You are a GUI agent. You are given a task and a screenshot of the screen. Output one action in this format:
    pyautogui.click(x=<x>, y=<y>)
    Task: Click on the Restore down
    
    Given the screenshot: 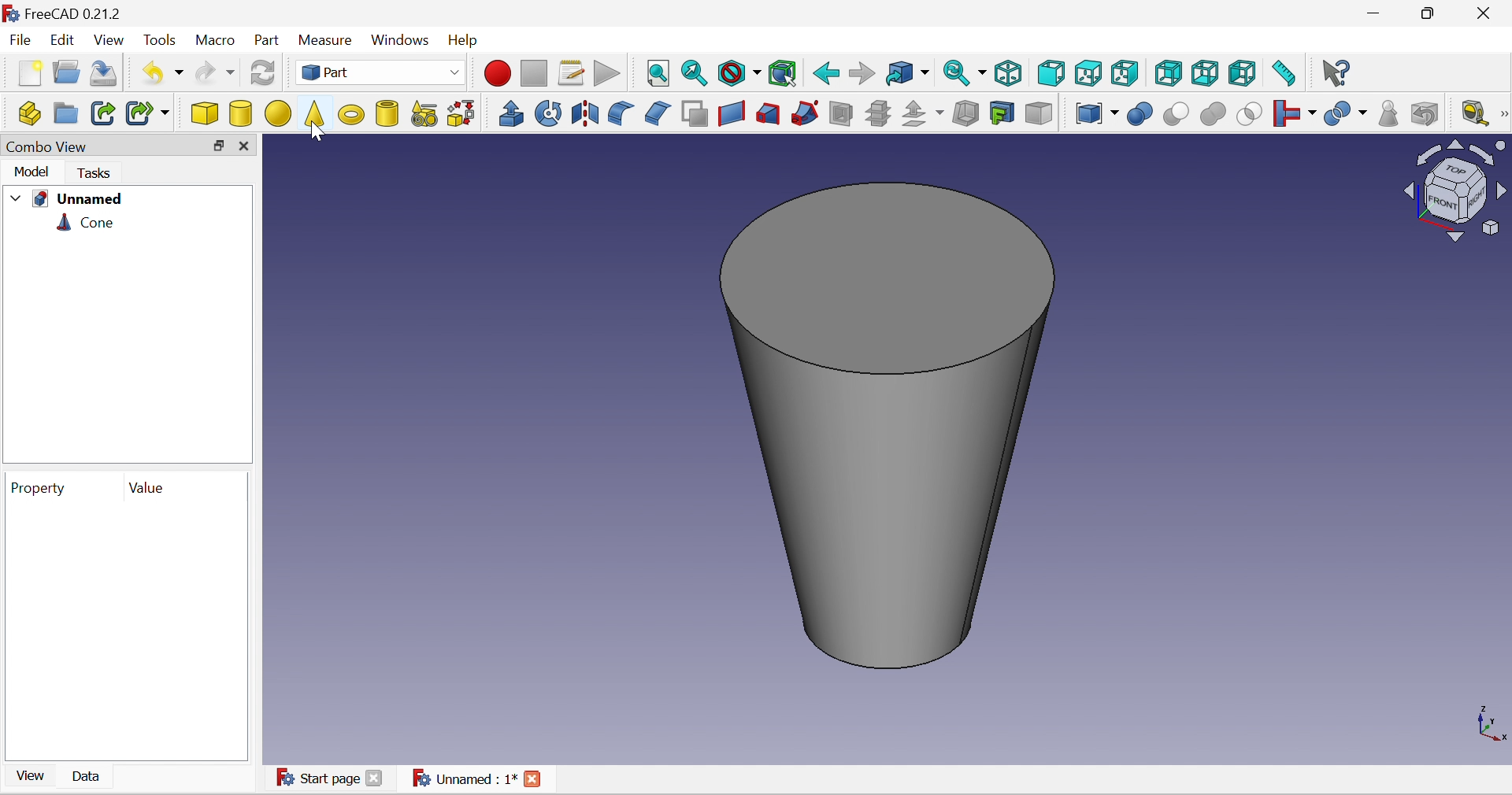 What is the action you would take?
    pyautogui.click(x=1428, y=15)
    